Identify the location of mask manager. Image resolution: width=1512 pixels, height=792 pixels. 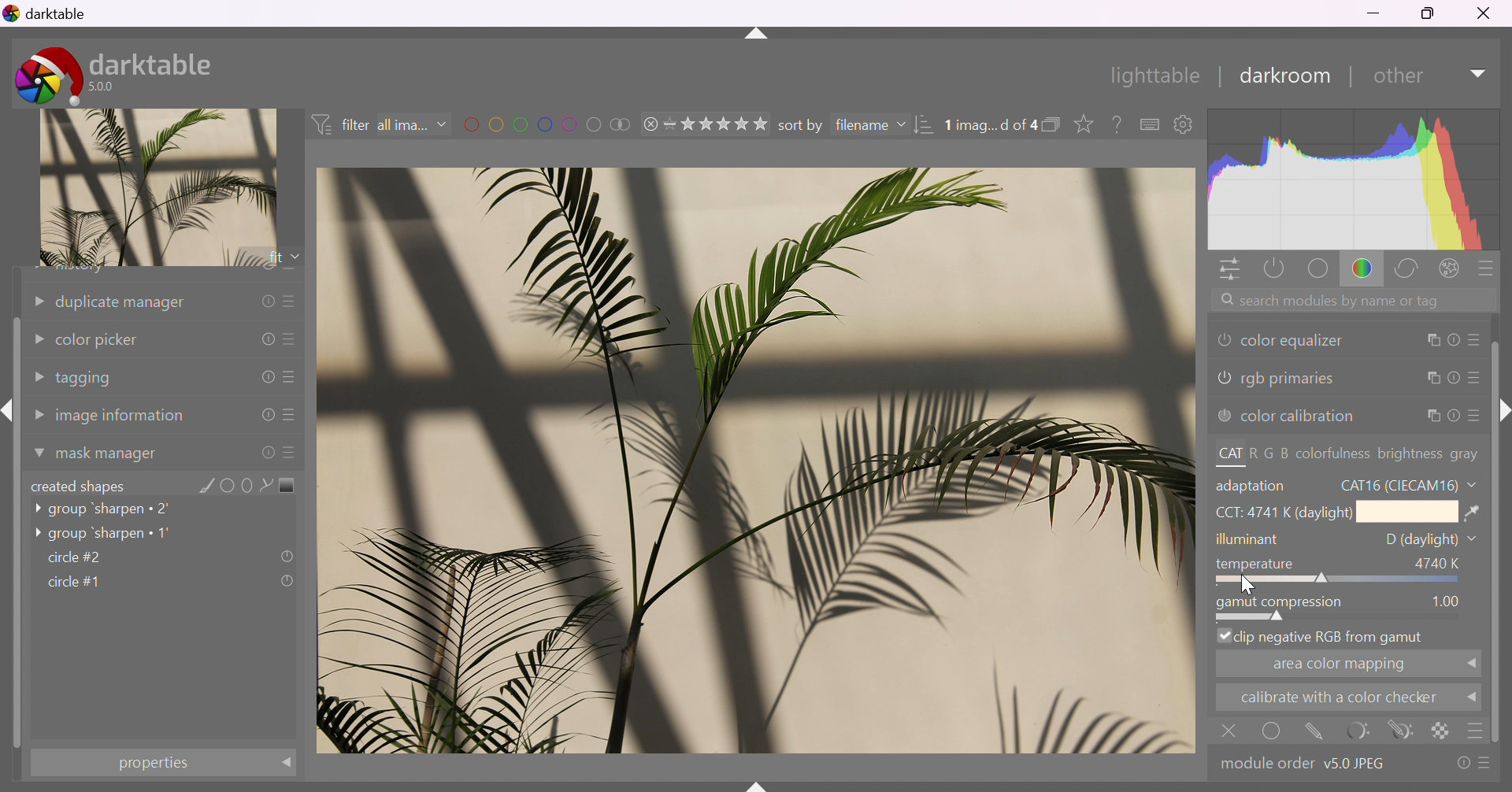
(164, 456).